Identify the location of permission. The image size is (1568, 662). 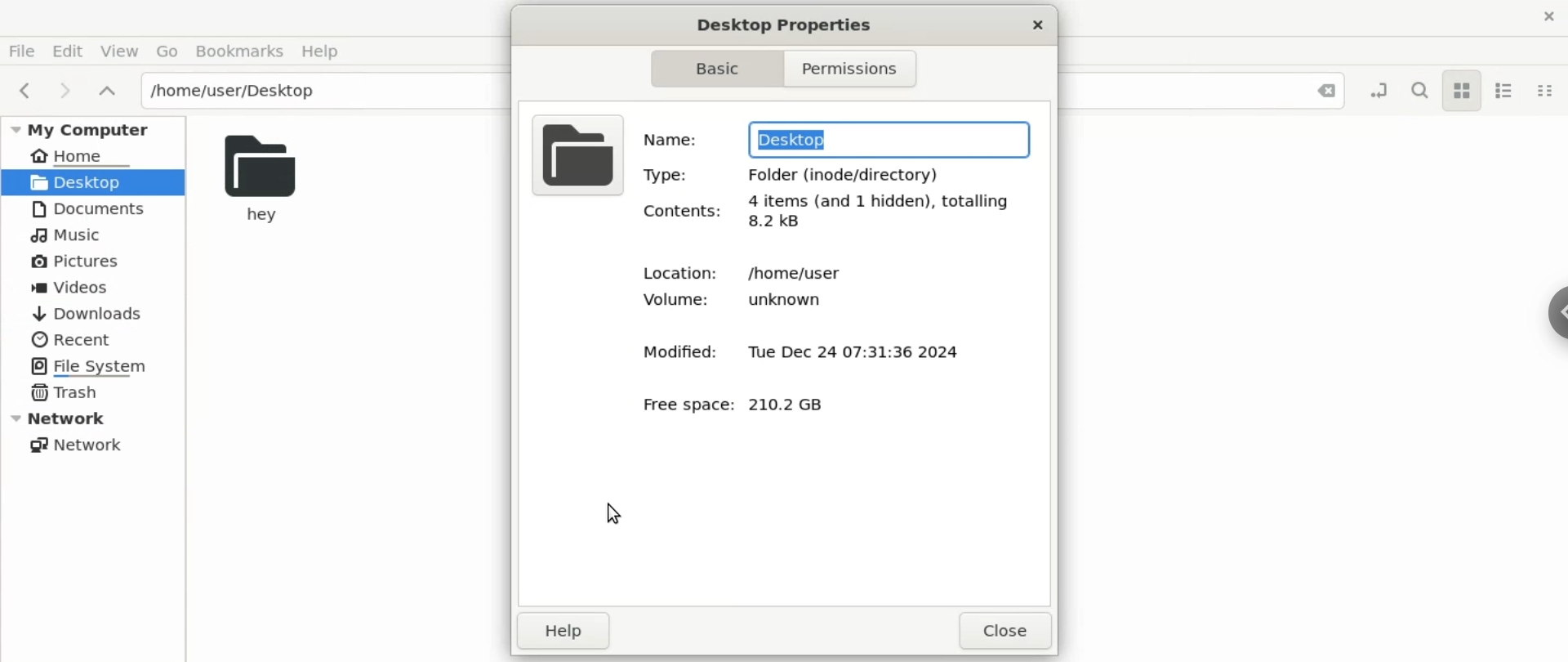
(853, 68).